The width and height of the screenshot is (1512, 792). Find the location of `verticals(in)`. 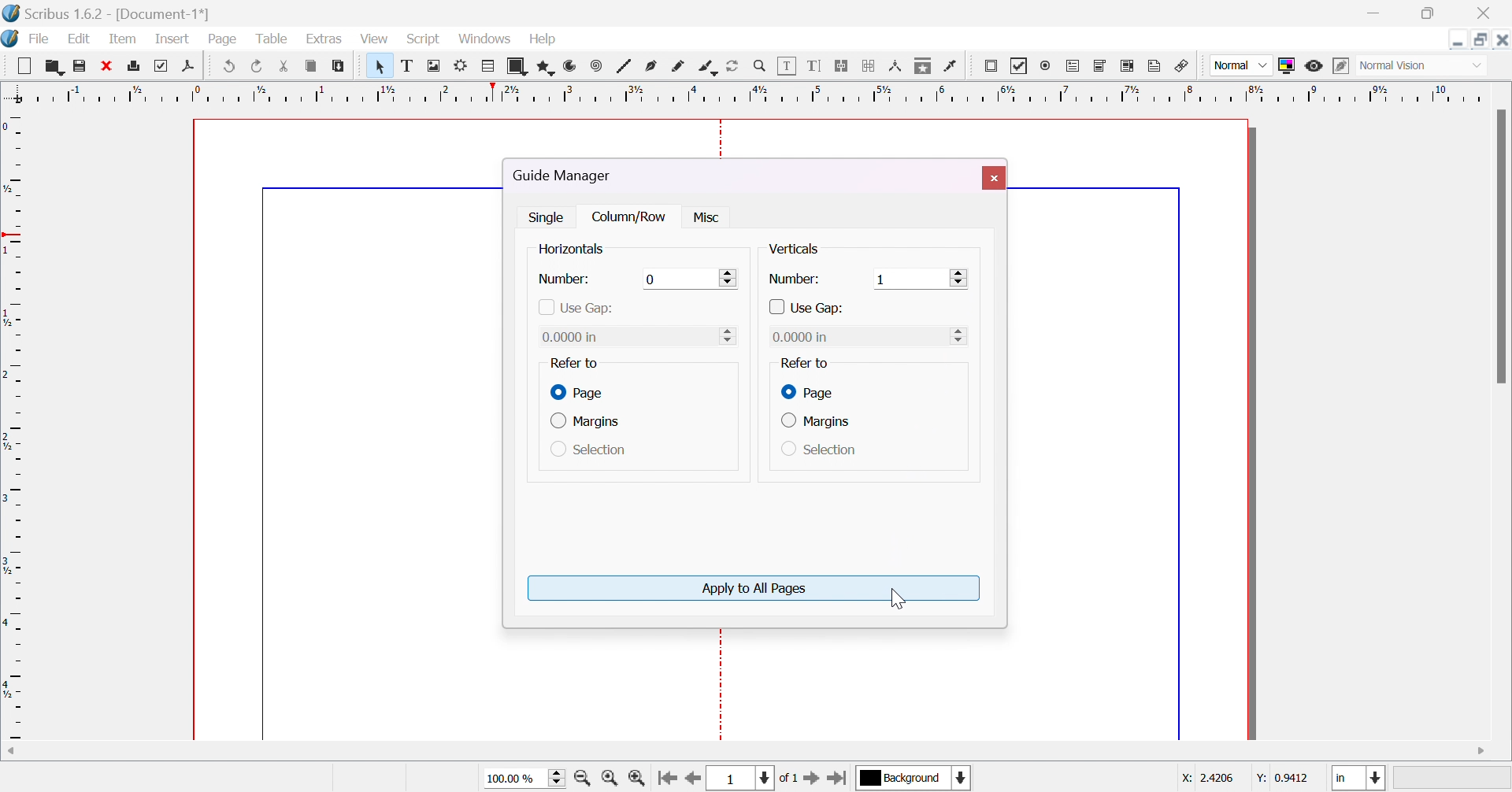

verticals(in) is located at coordinates (806, 249).